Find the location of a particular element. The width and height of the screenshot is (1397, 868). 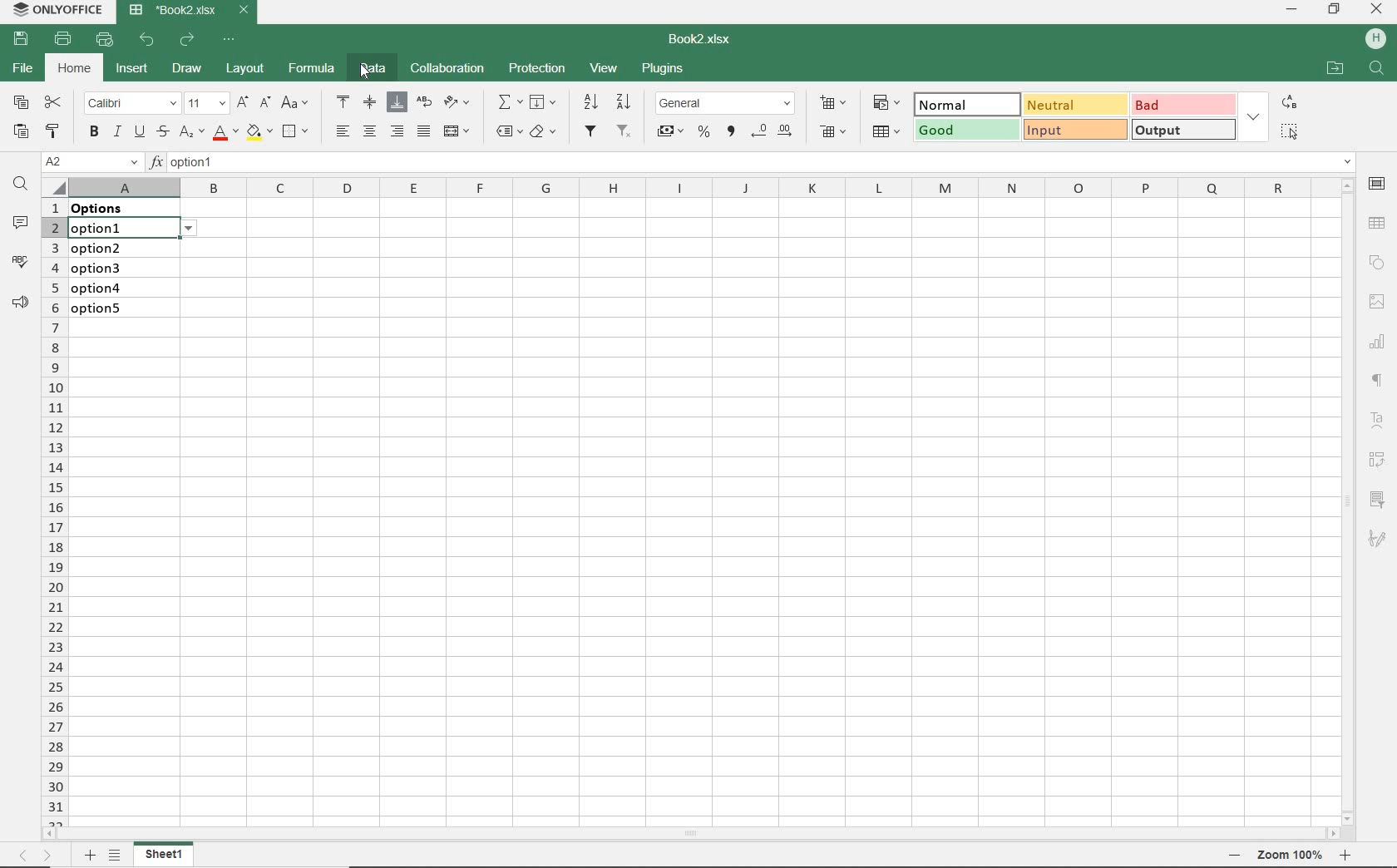

DOCUMENT NAME is located at coordinates (708, 40).